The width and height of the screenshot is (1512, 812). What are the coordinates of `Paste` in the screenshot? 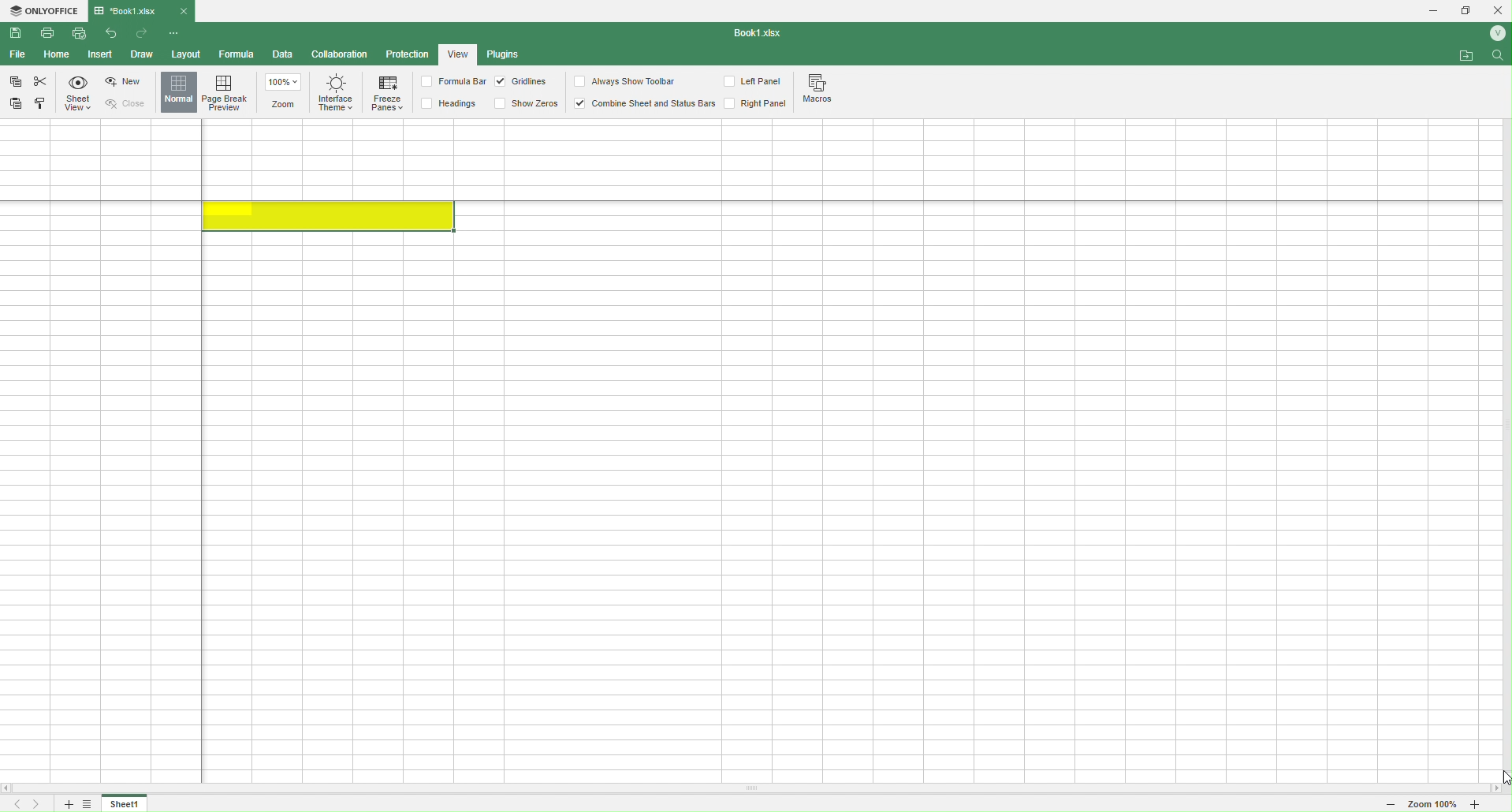 It's located at (18, 102).